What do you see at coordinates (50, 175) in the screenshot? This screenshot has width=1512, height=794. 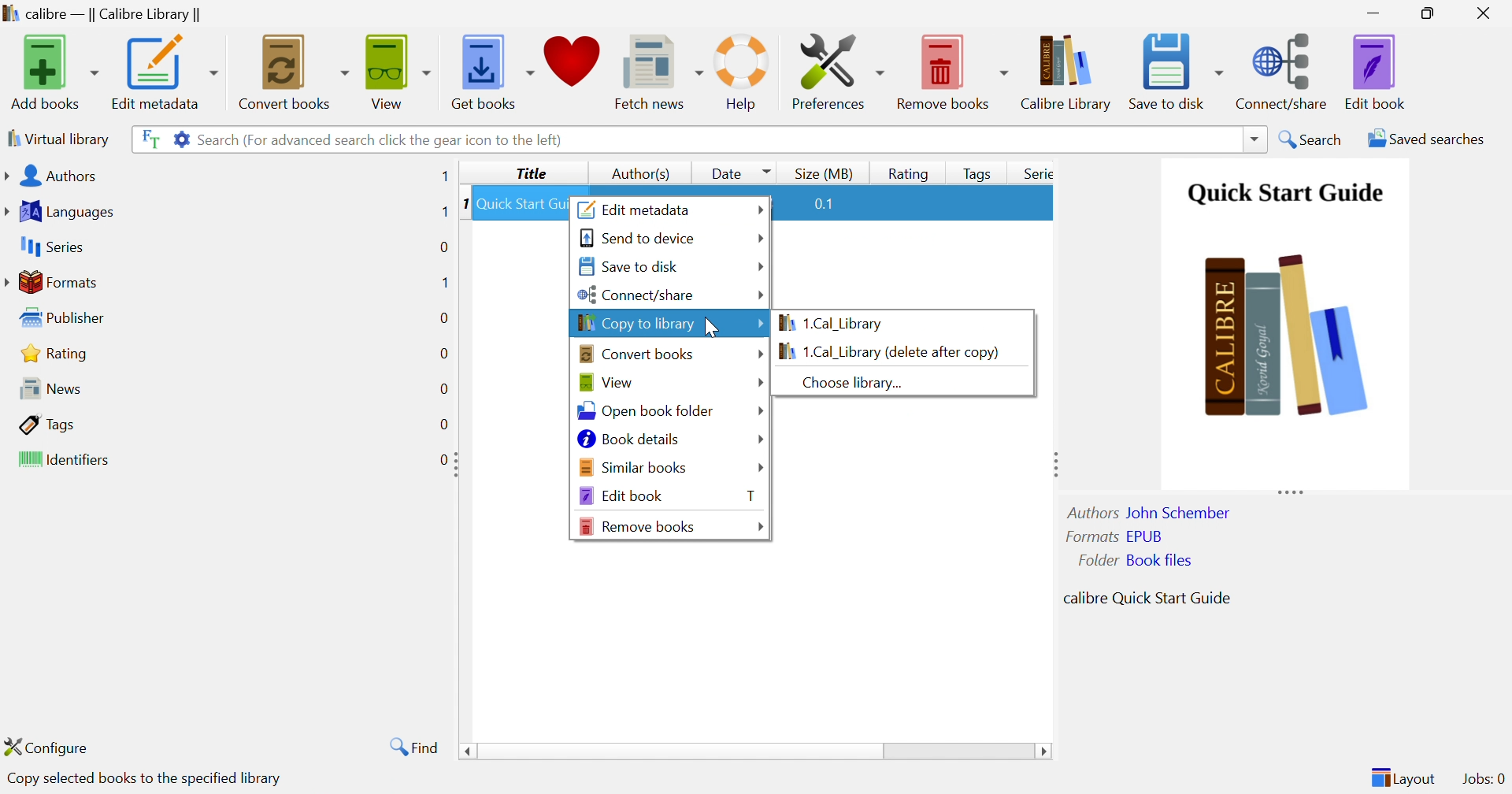 I see `Authors` at bounding box center [50, 175].